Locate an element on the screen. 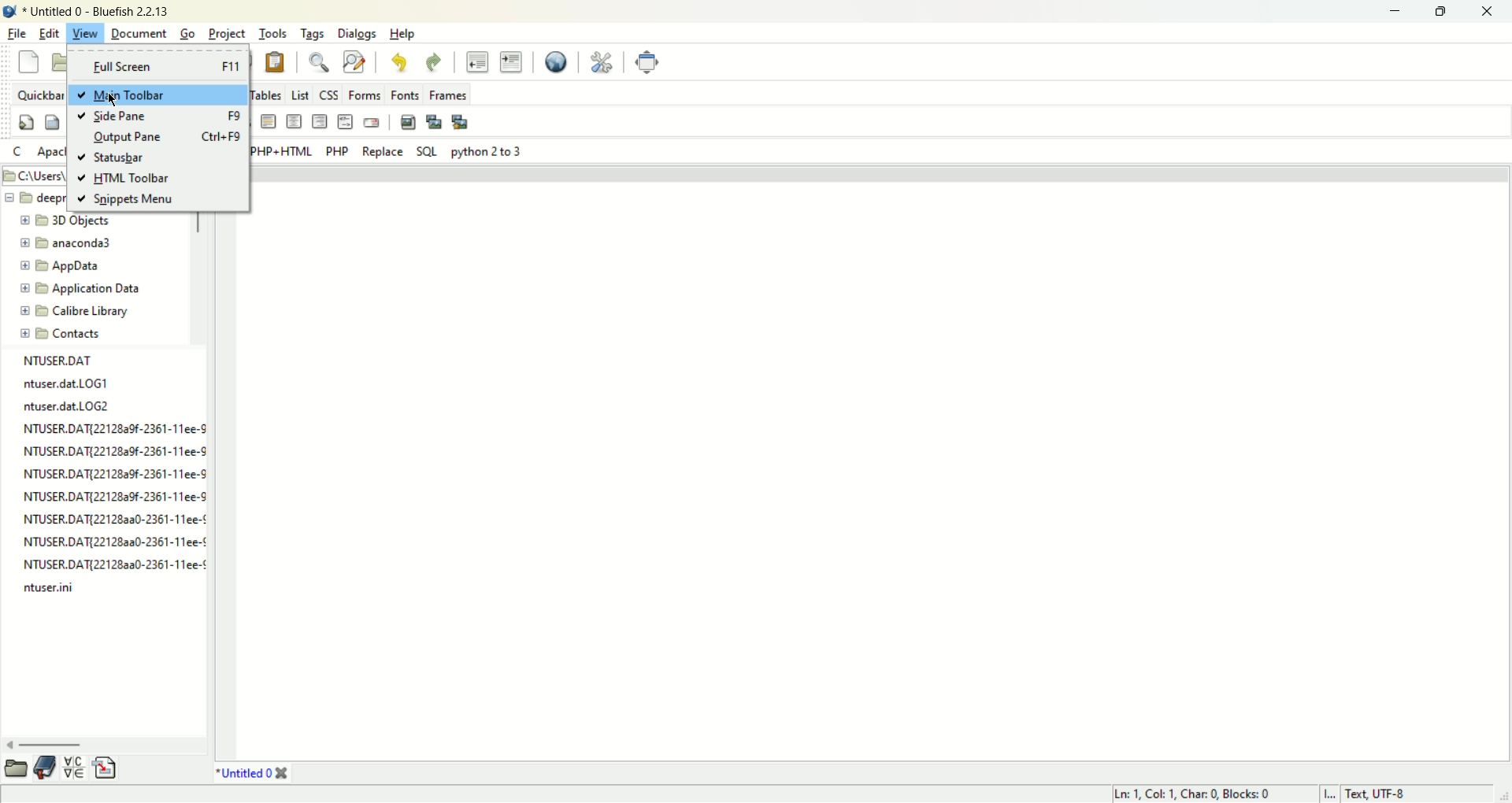 This screenshot has width=1512, height=803. Replace is located at coordinates (383, 152).